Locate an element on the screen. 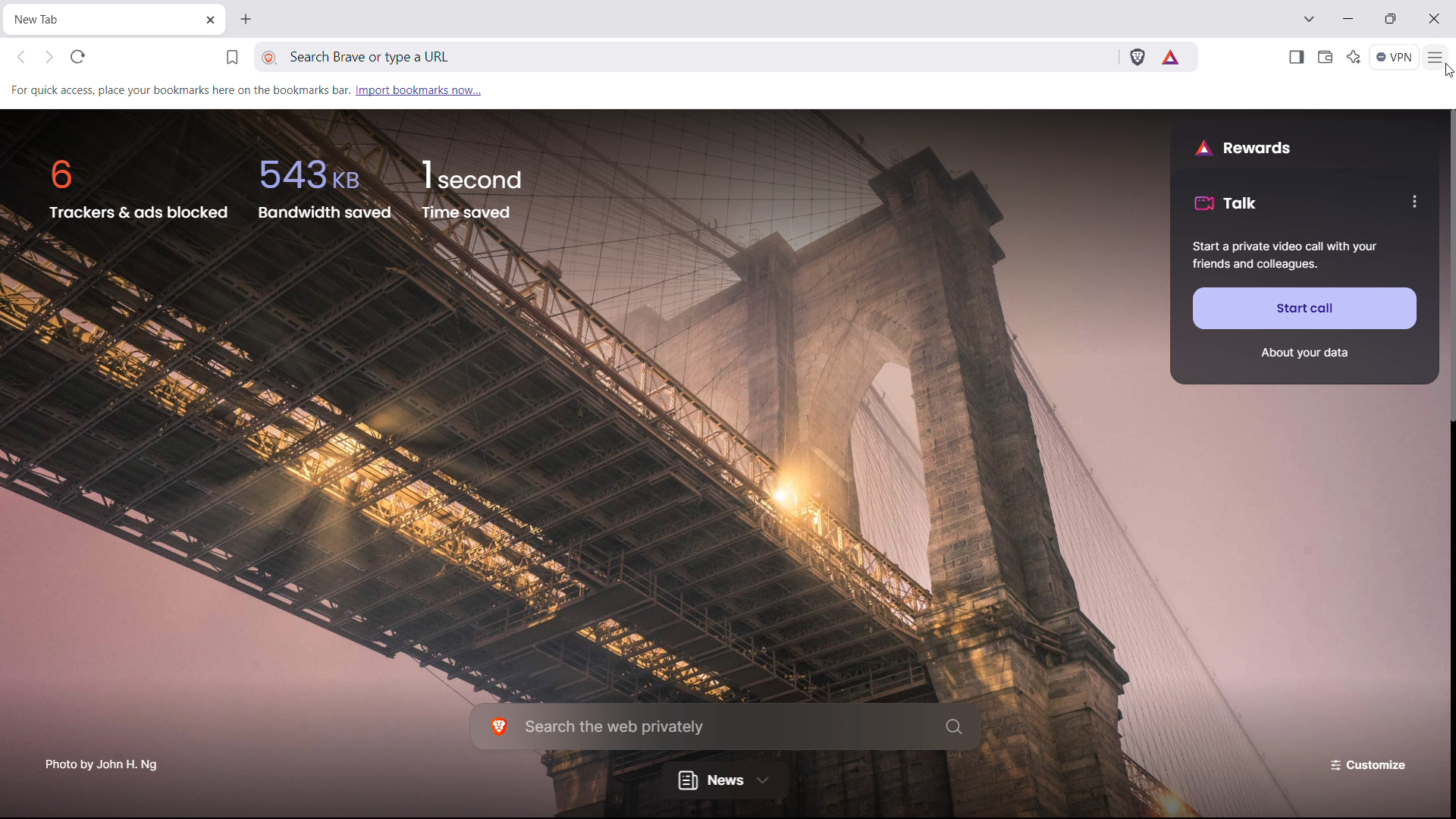  search in tabs is located at coordinates (1308, 17).